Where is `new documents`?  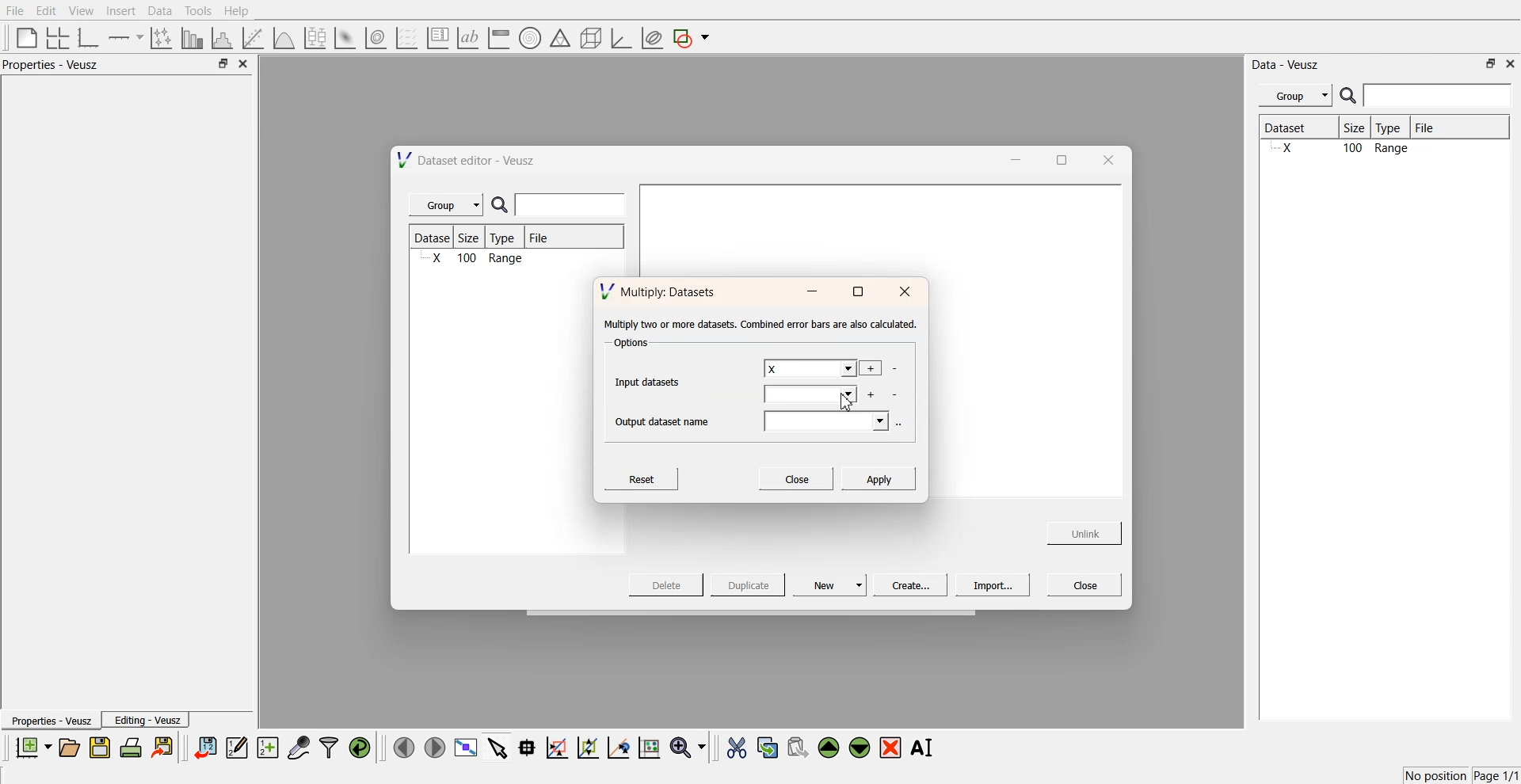 new documents is located at coordinates (32, 747).